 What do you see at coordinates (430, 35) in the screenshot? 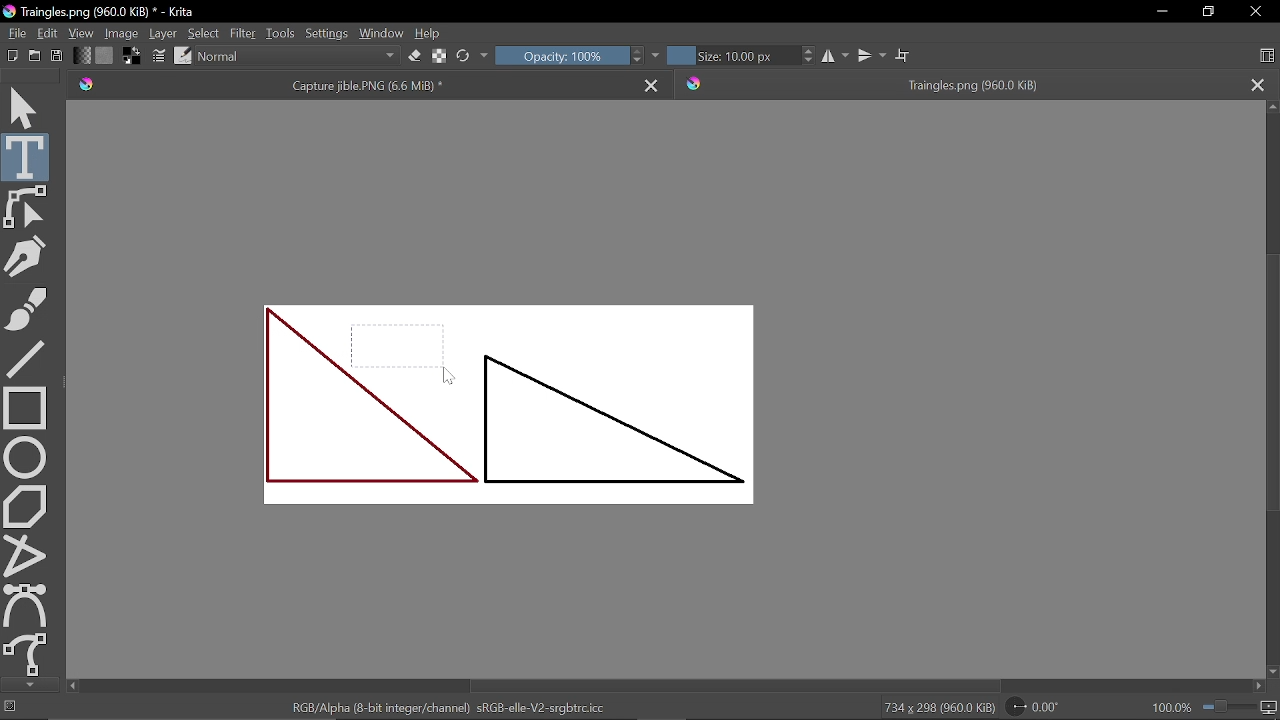
I see `Help` at bounding box center [430, 35].